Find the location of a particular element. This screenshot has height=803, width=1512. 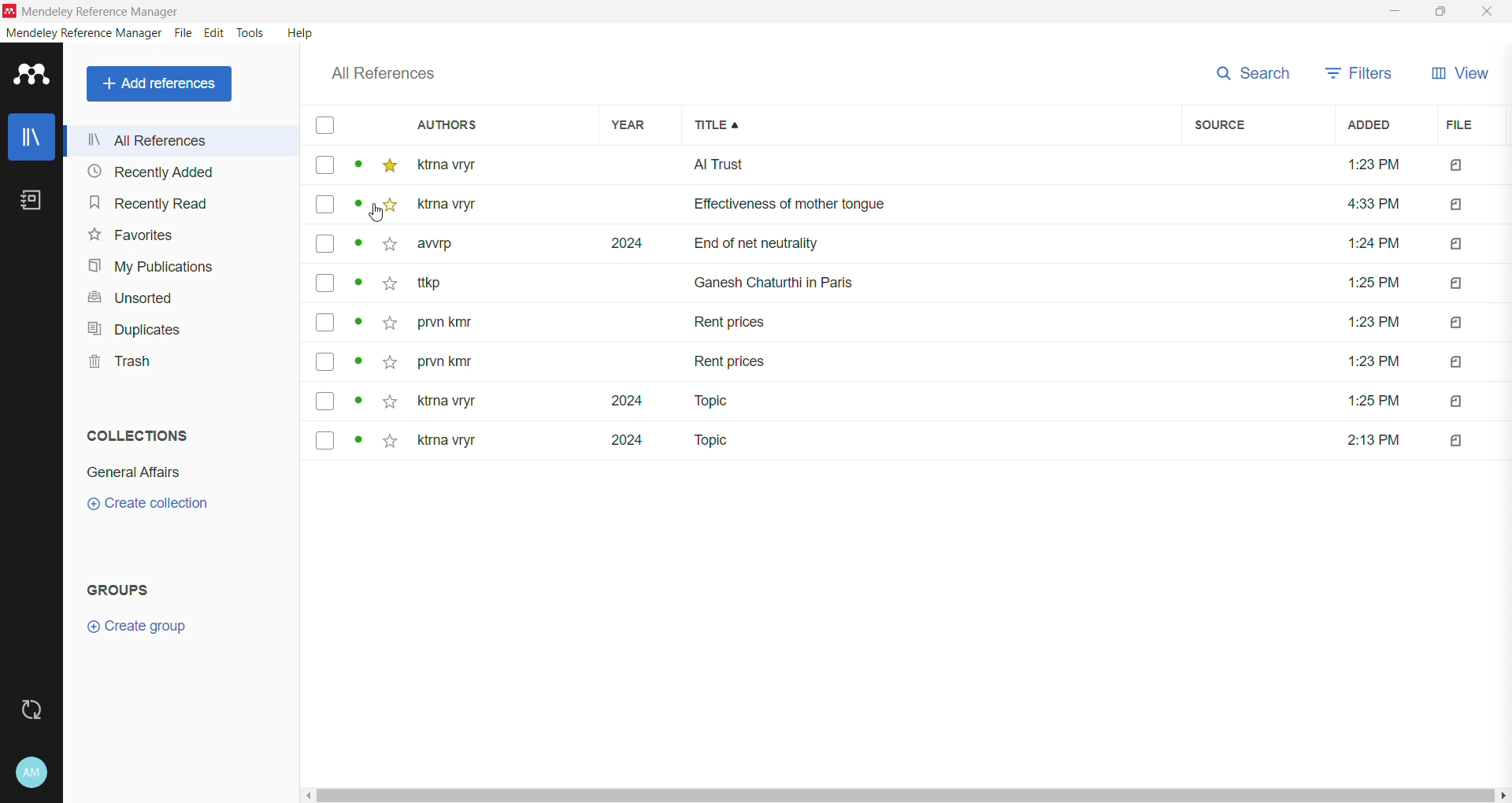

ktma vtyr is located at coordinates (458, 164).